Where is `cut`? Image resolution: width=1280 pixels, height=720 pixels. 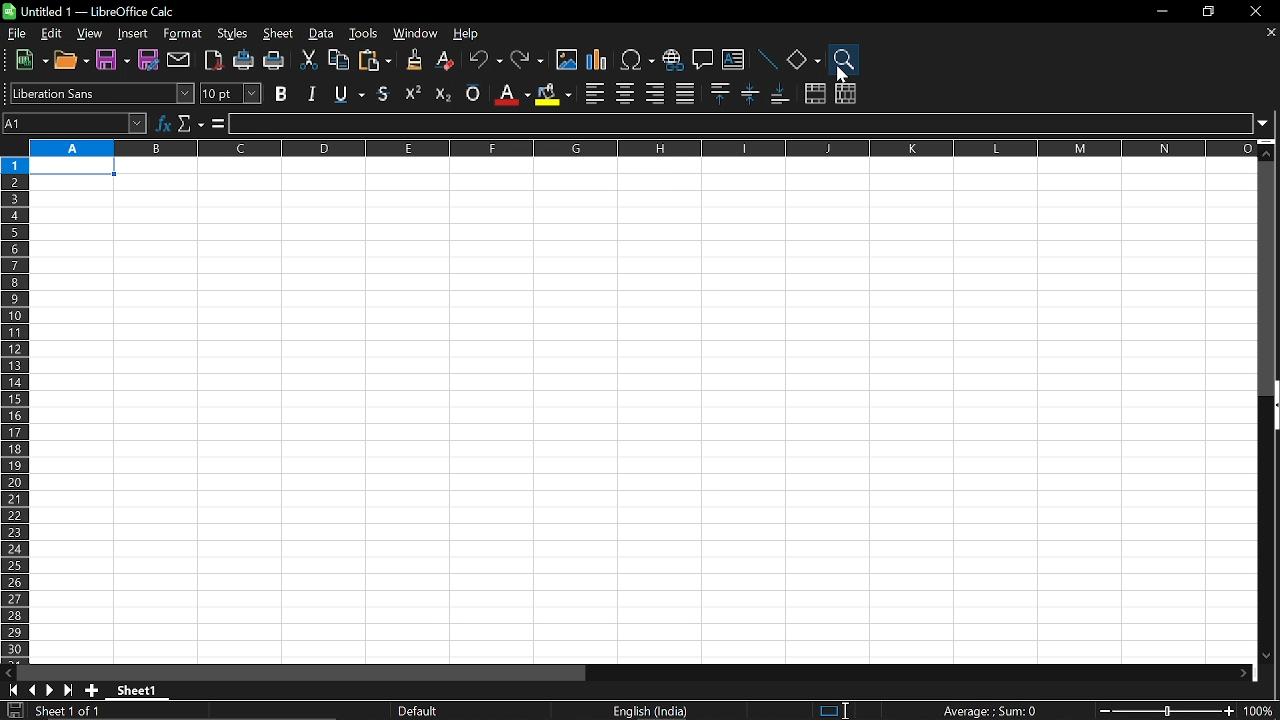 cut is located at coordinates (307, 61).